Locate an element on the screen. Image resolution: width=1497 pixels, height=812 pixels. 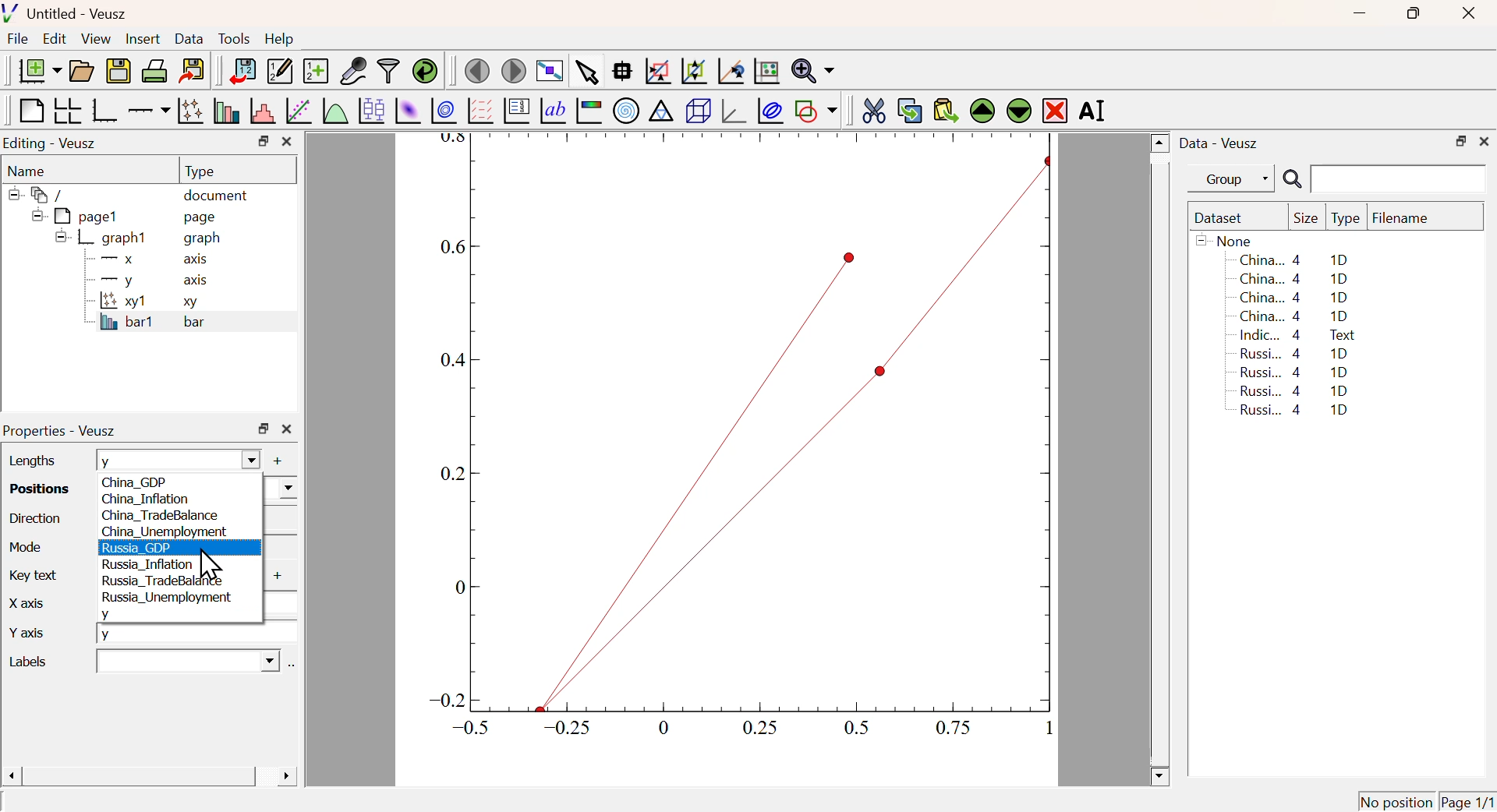
China TradeBalance is located at coordinates (160, 516).